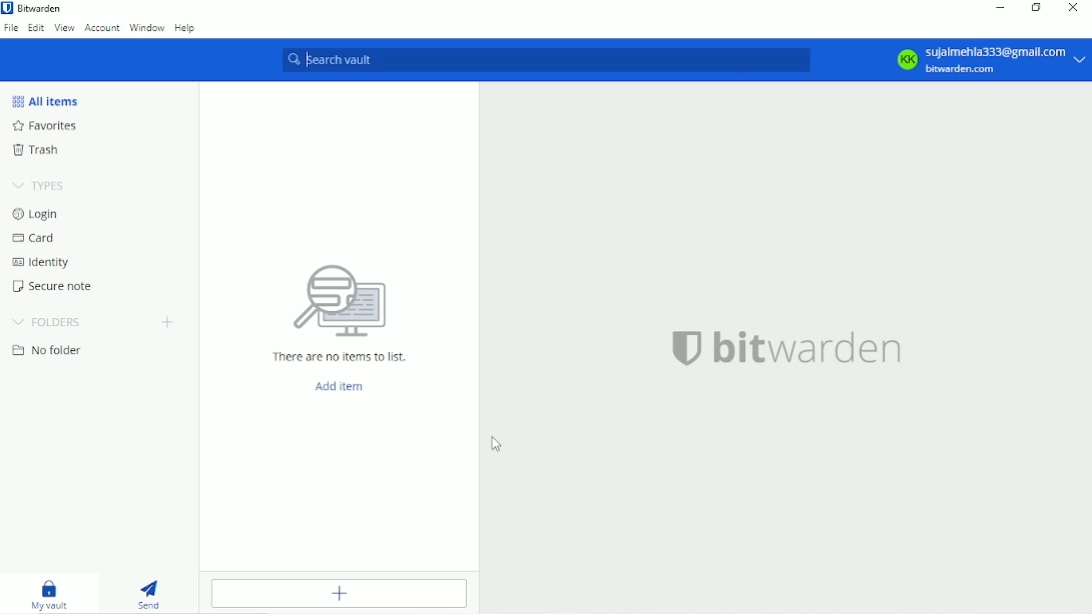 The height and width of the screenshot is (614, 1092). I want to click on No folder, so click(47, 351).